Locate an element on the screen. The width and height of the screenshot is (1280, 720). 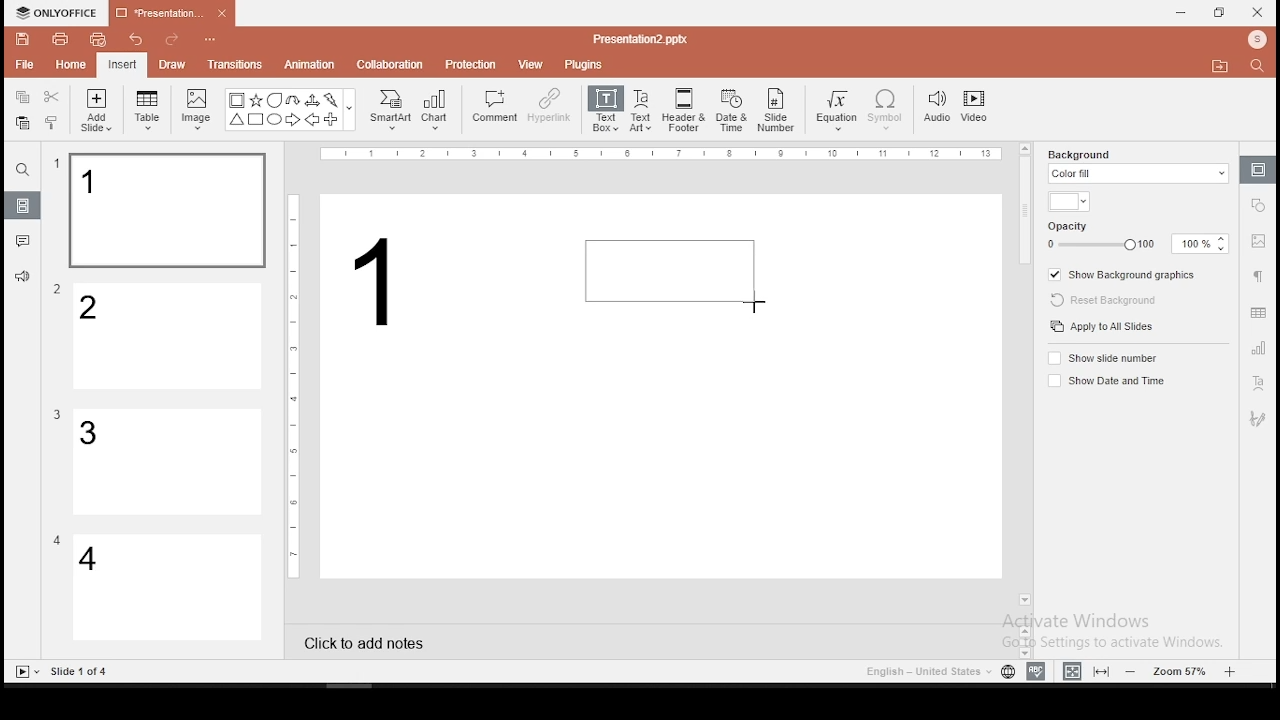
protection is located at coordinates (471, 63).